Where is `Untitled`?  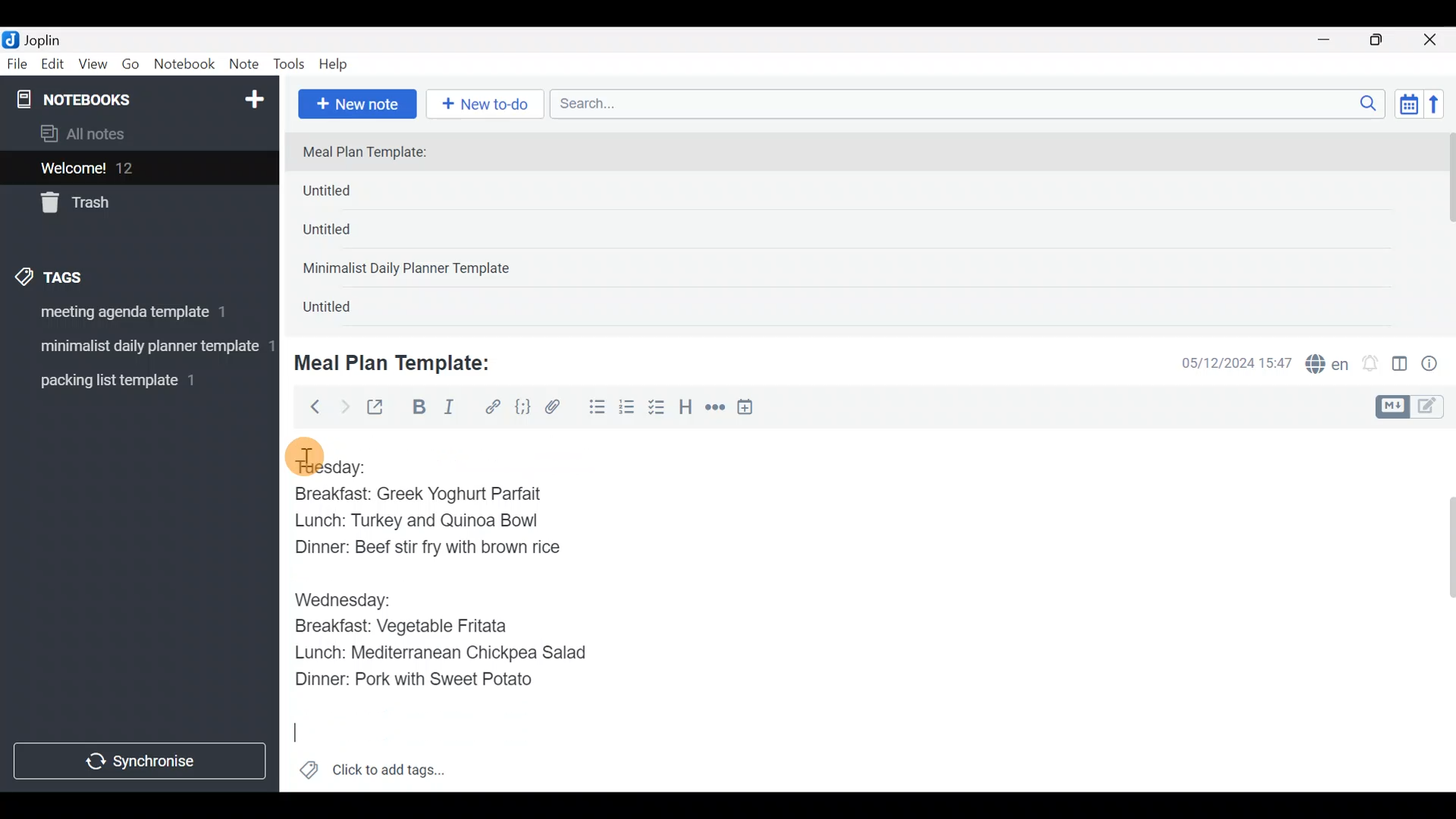
Untitled is located at coordinates (344, 310).